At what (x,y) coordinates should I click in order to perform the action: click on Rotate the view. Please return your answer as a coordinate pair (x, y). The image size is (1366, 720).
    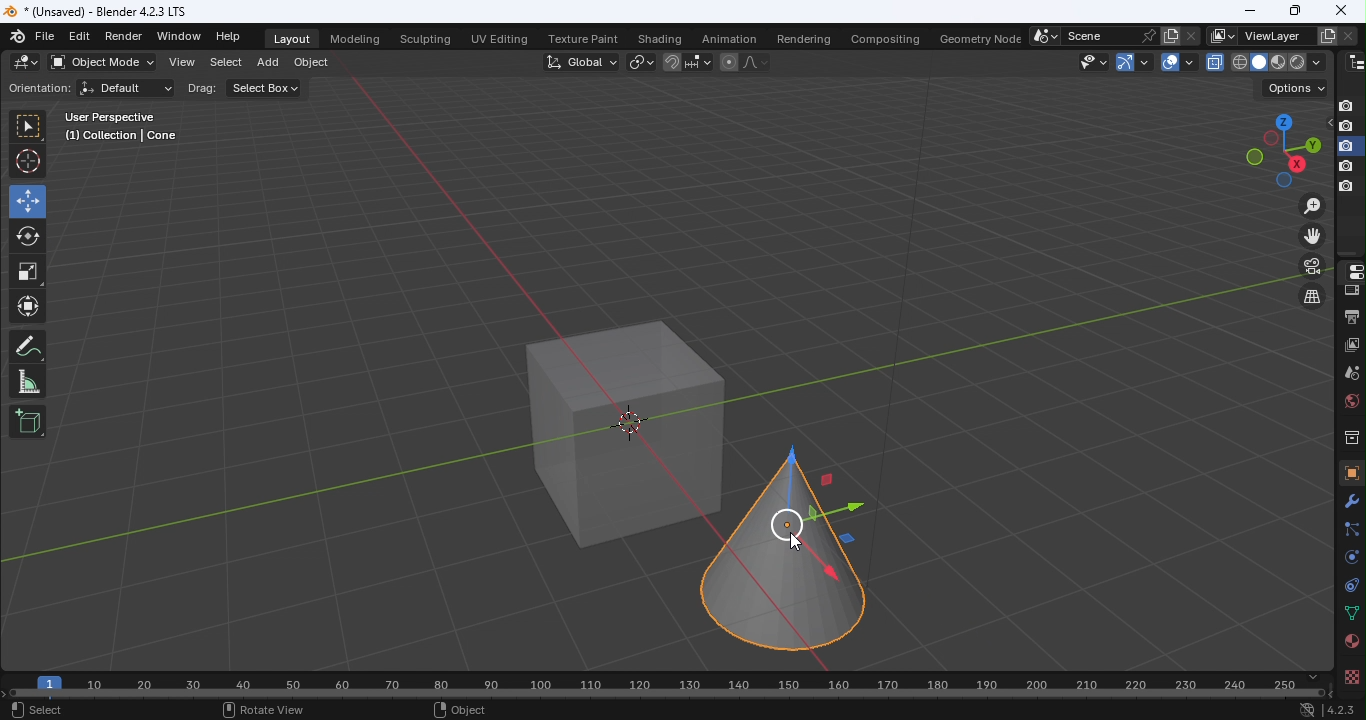
    Looking at the image, I should click on (1283, 182).